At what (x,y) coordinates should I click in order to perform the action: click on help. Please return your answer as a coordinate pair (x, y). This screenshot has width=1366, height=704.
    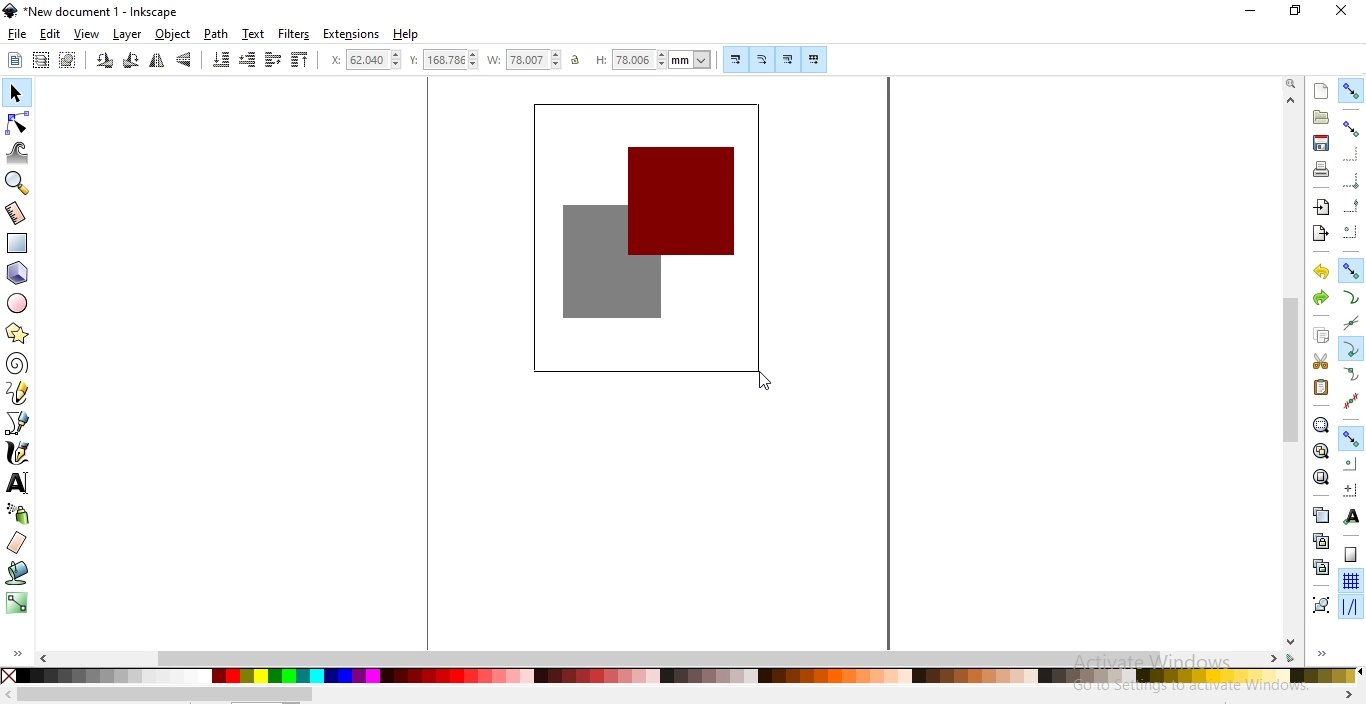
    Looking at the image, I should click on (406, 35).